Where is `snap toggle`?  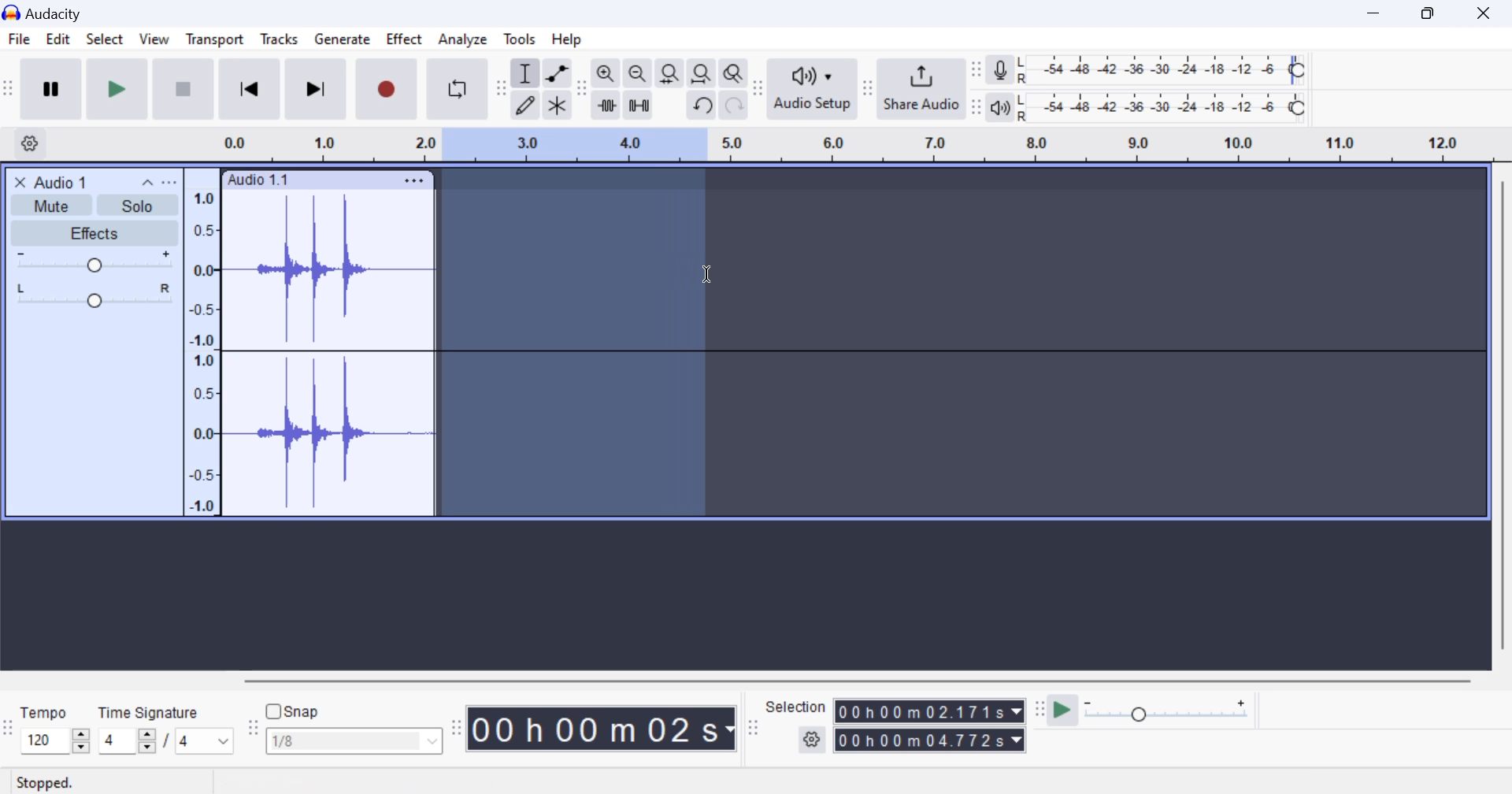
snap toggle is located at coordinates (301, 711).